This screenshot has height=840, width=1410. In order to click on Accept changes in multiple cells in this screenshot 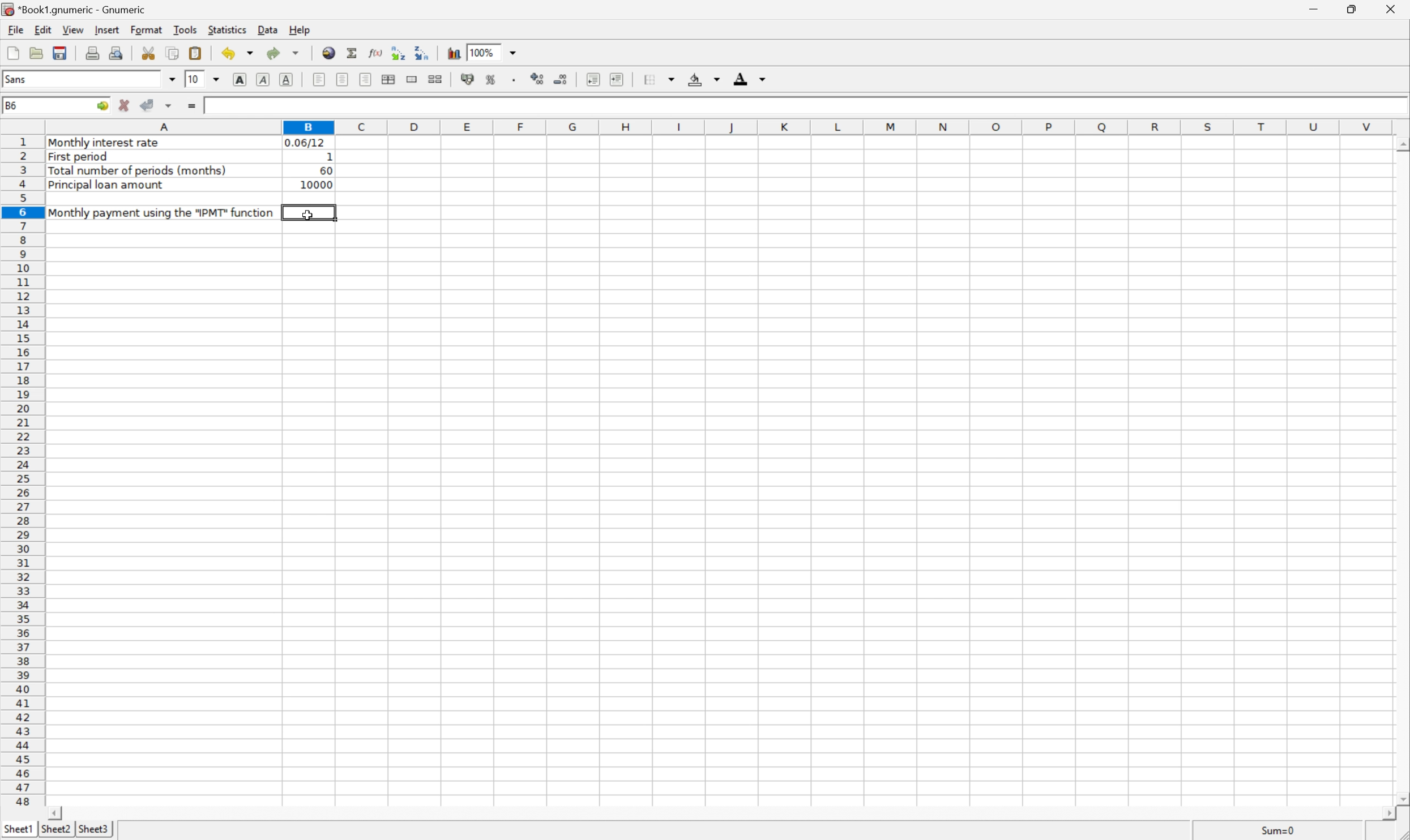, I will do `click(169, 106)`.